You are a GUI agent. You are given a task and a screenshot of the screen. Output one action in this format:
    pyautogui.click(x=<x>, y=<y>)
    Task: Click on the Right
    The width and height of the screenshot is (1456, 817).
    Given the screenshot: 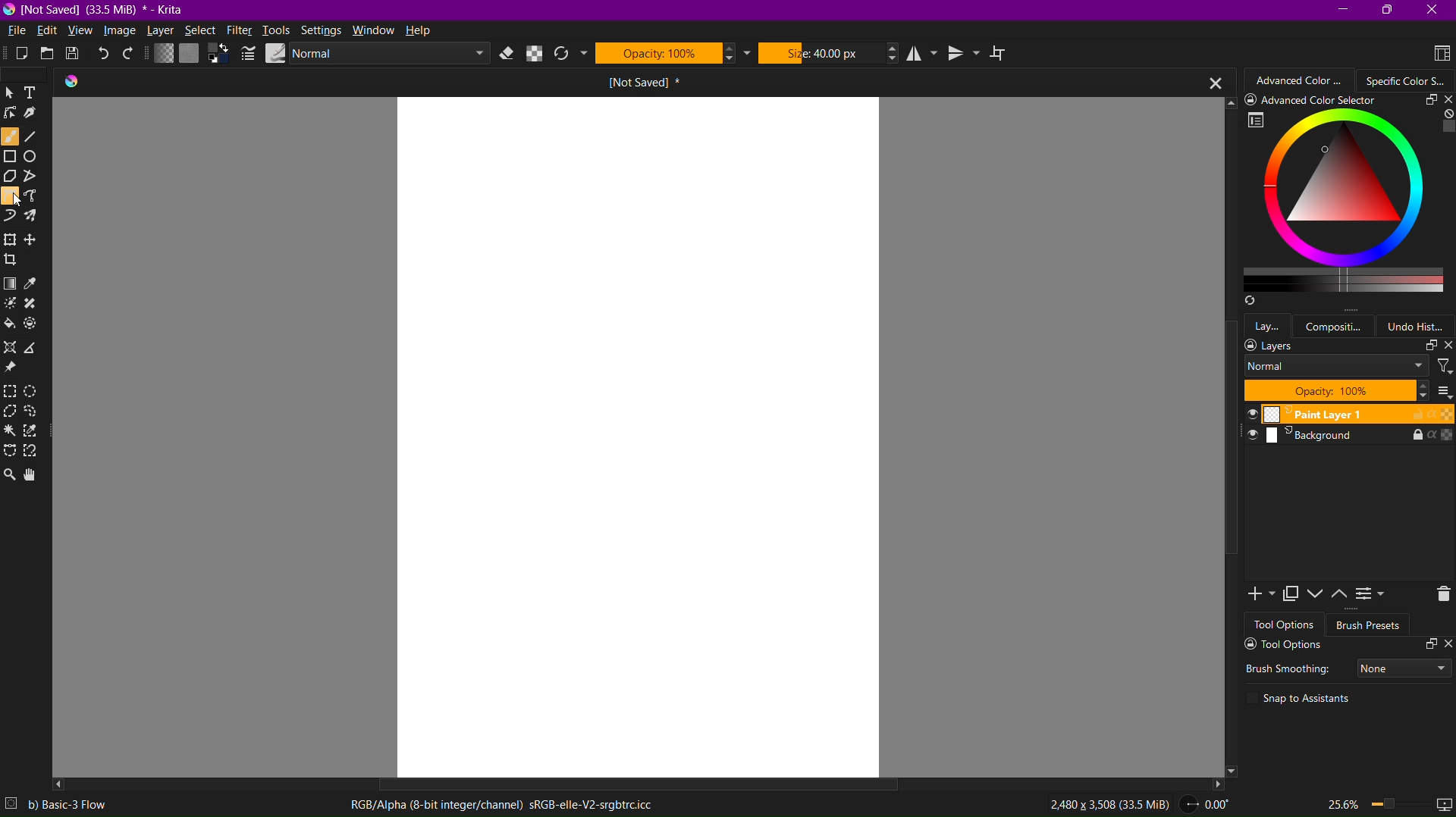 What is the action you would take?
    pyautogui.click(x=1216, y=781)
    